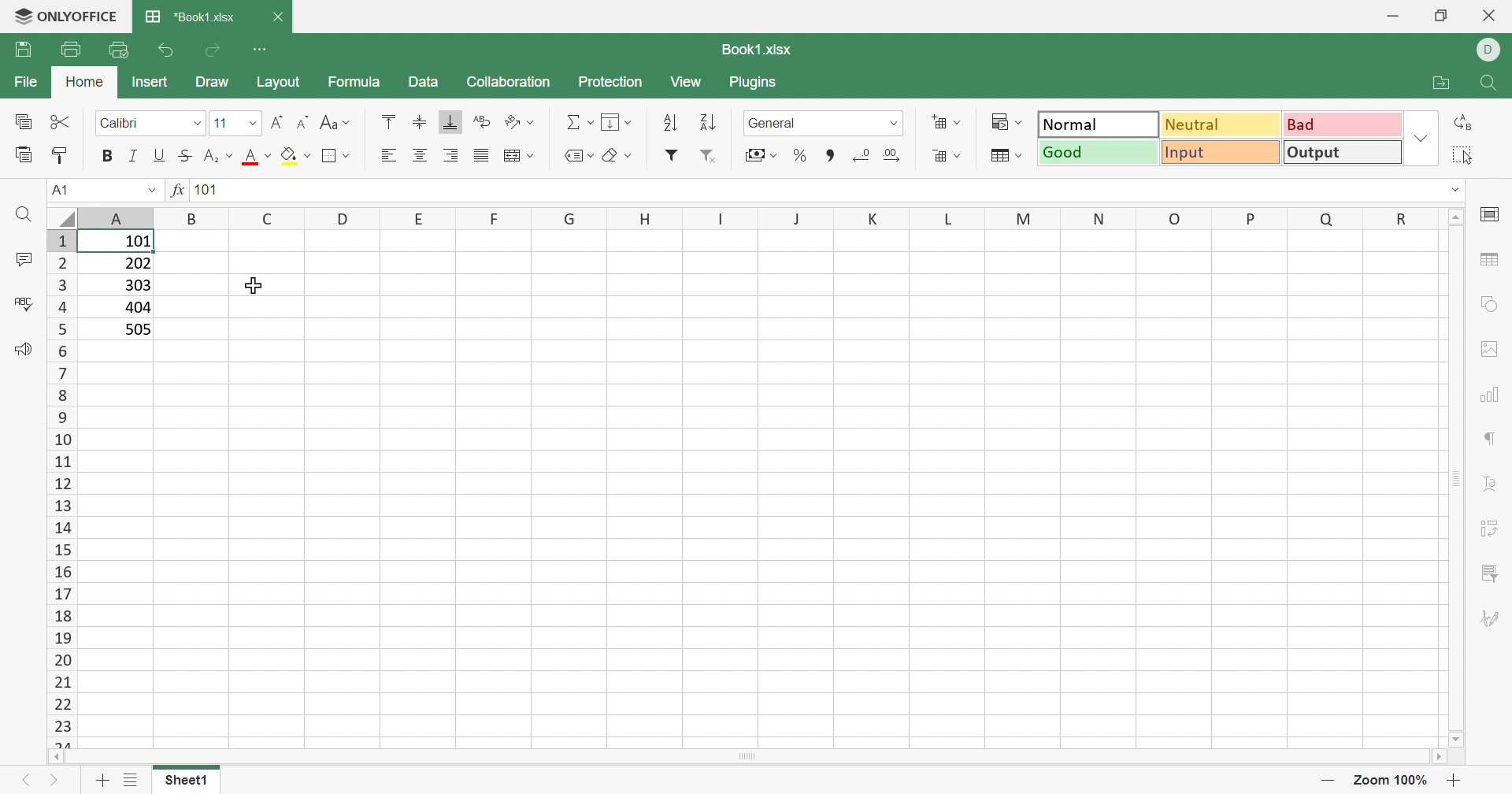 The image size is (1512, 794). What do you see at coordinates (139, 329) in the screenshot?
I see `505` at bounding box center [139, 329].